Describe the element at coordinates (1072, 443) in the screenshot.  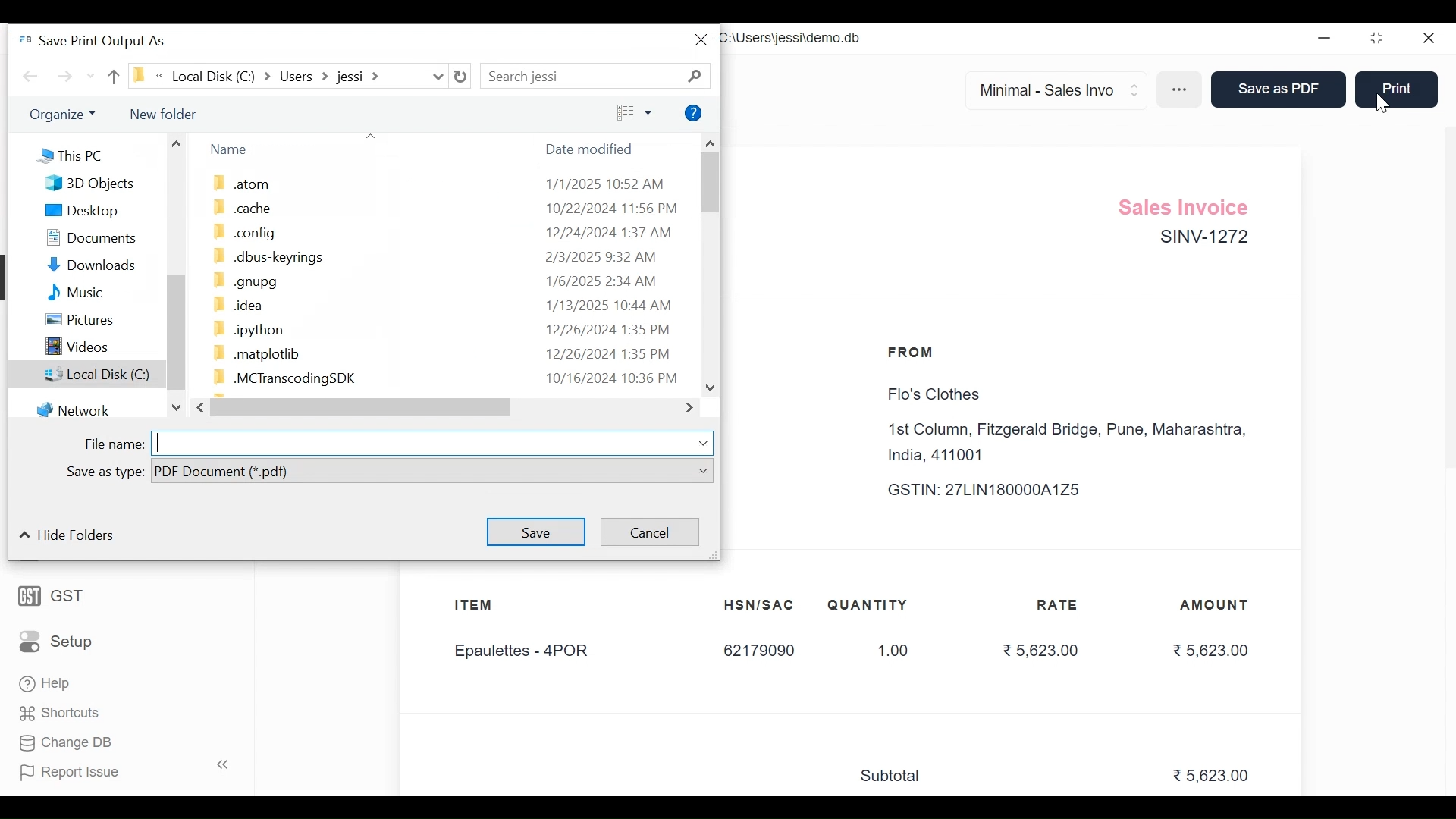
I see `1st Column, Fitzgerald Bridge, Pune, Maharashtra, India, 411001` at that location.